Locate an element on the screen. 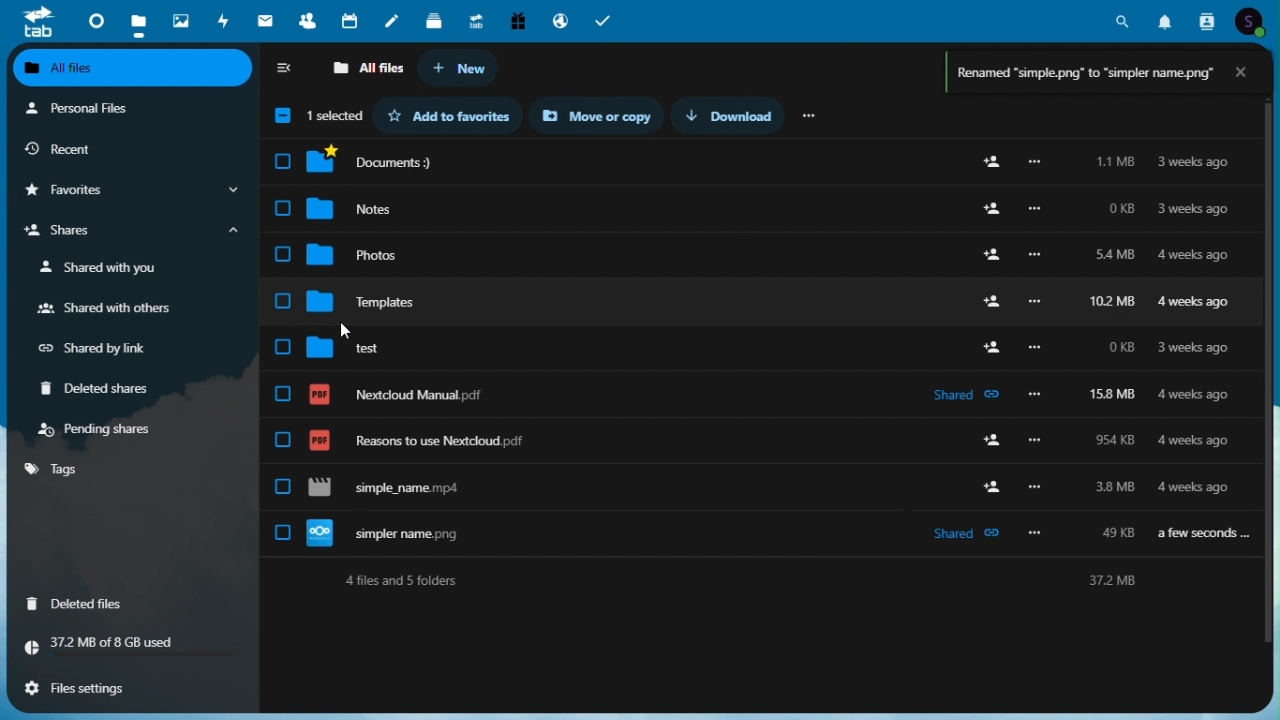  Notifications is located at coordinates (1165, 18).